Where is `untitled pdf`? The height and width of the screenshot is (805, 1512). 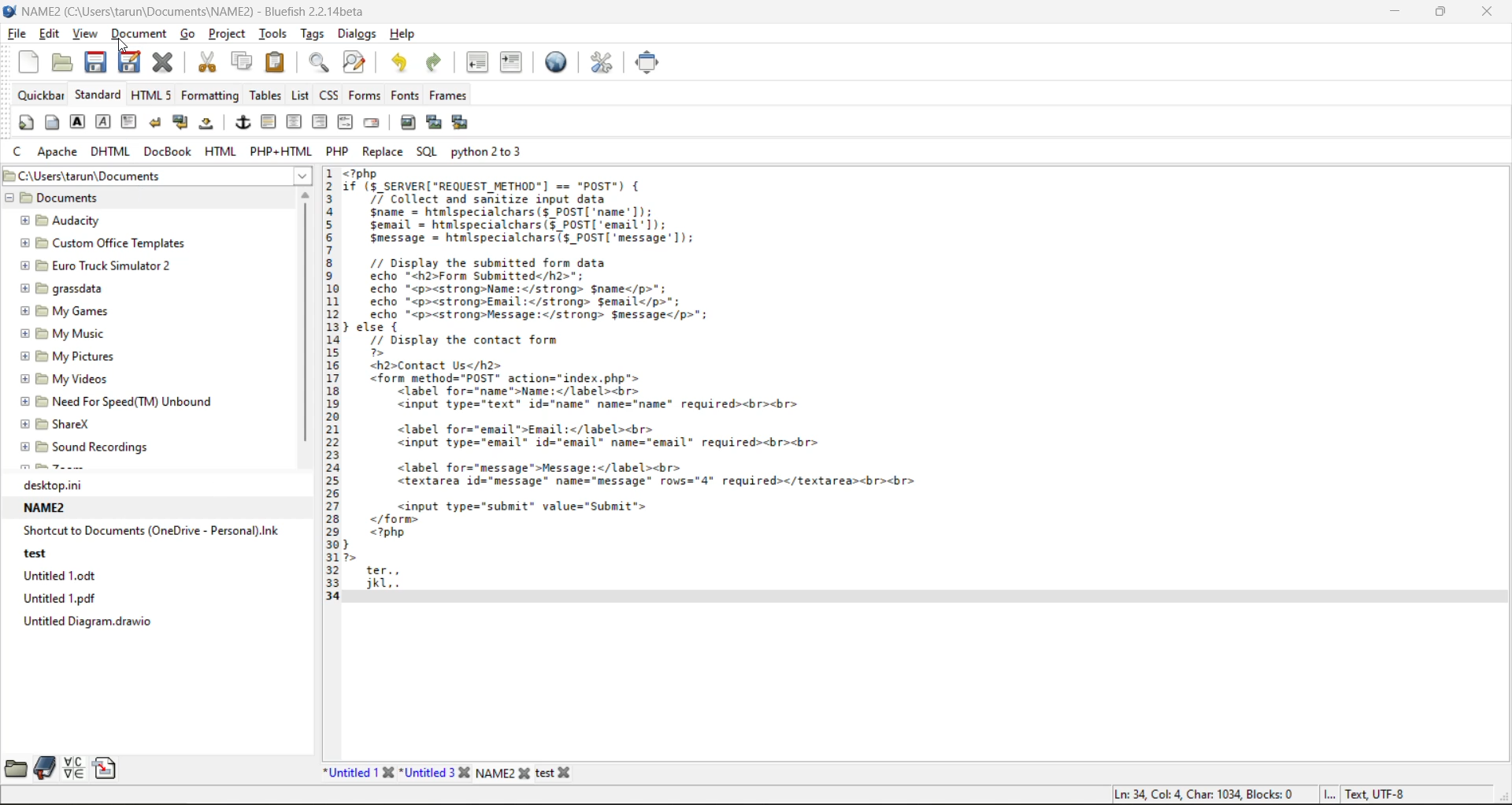 untitled pdf is located at coordinates (74, 598).